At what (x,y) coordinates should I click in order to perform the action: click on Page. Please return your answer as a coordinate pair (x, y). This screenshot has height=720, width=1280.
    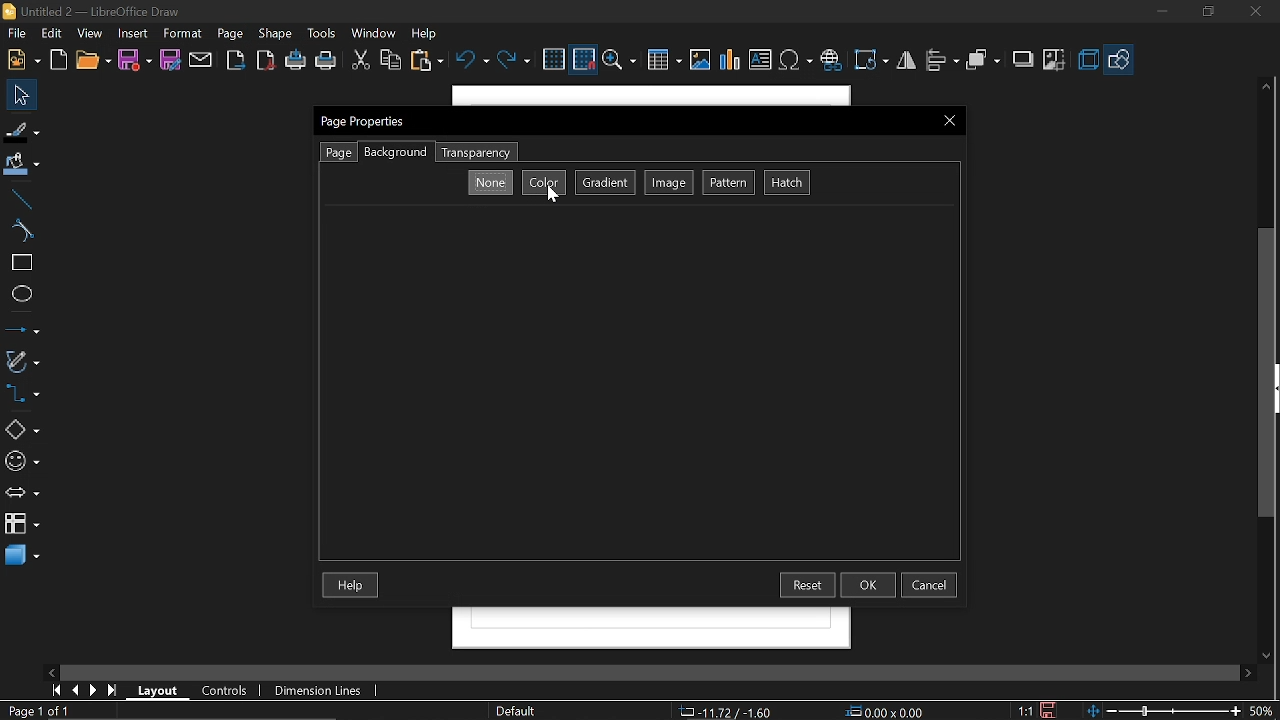
    Looking at the image, I should click on (338, 152).